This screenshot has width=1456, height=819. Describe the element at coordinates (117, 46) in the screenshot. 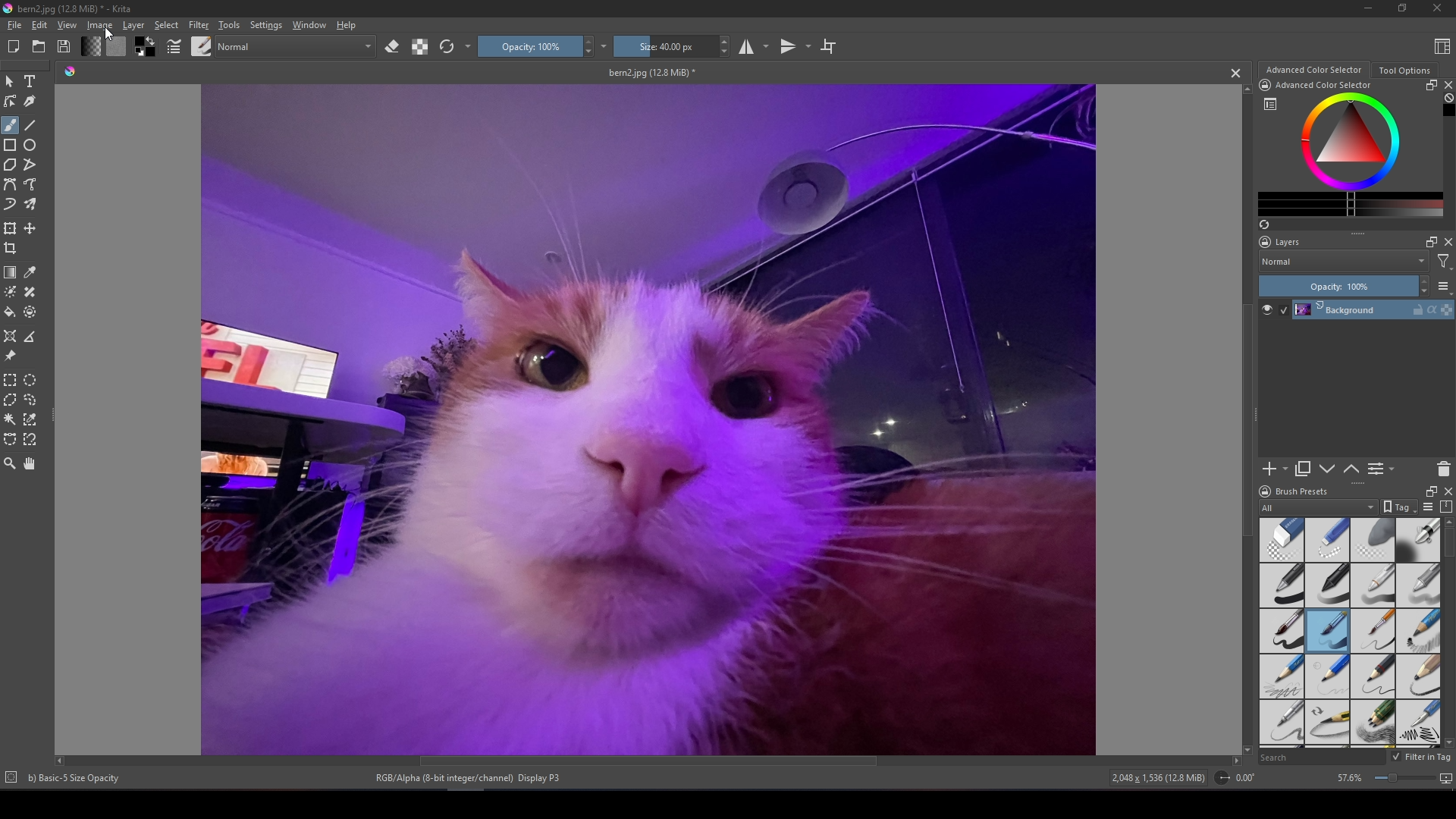

I see `Fill patterns` at that location.